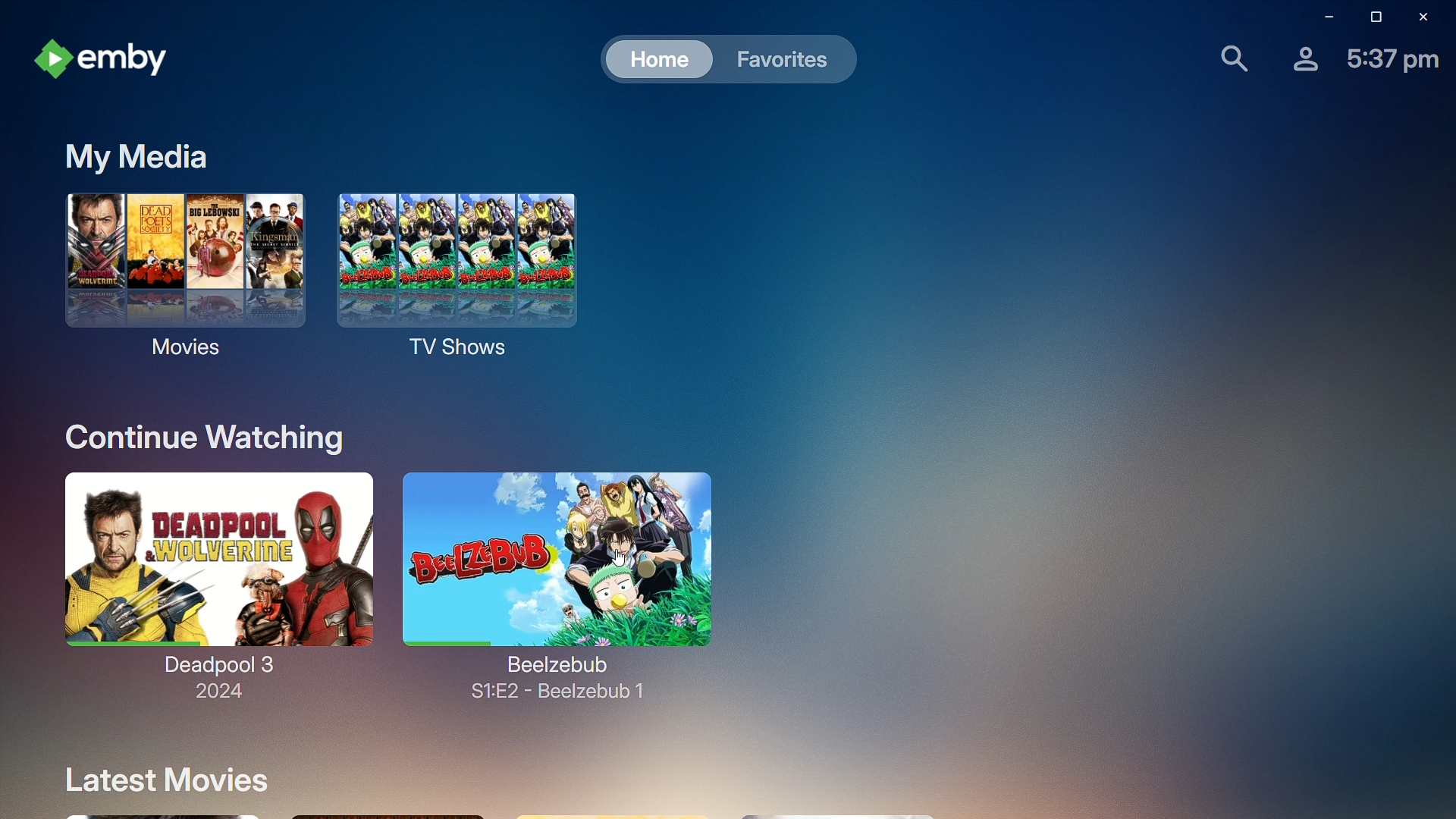 Image resolution: width=1456 pixels, height=819 pixels. Describe the element at coordinates (143, 154) in the screenshot. I see `My Media` at that location.